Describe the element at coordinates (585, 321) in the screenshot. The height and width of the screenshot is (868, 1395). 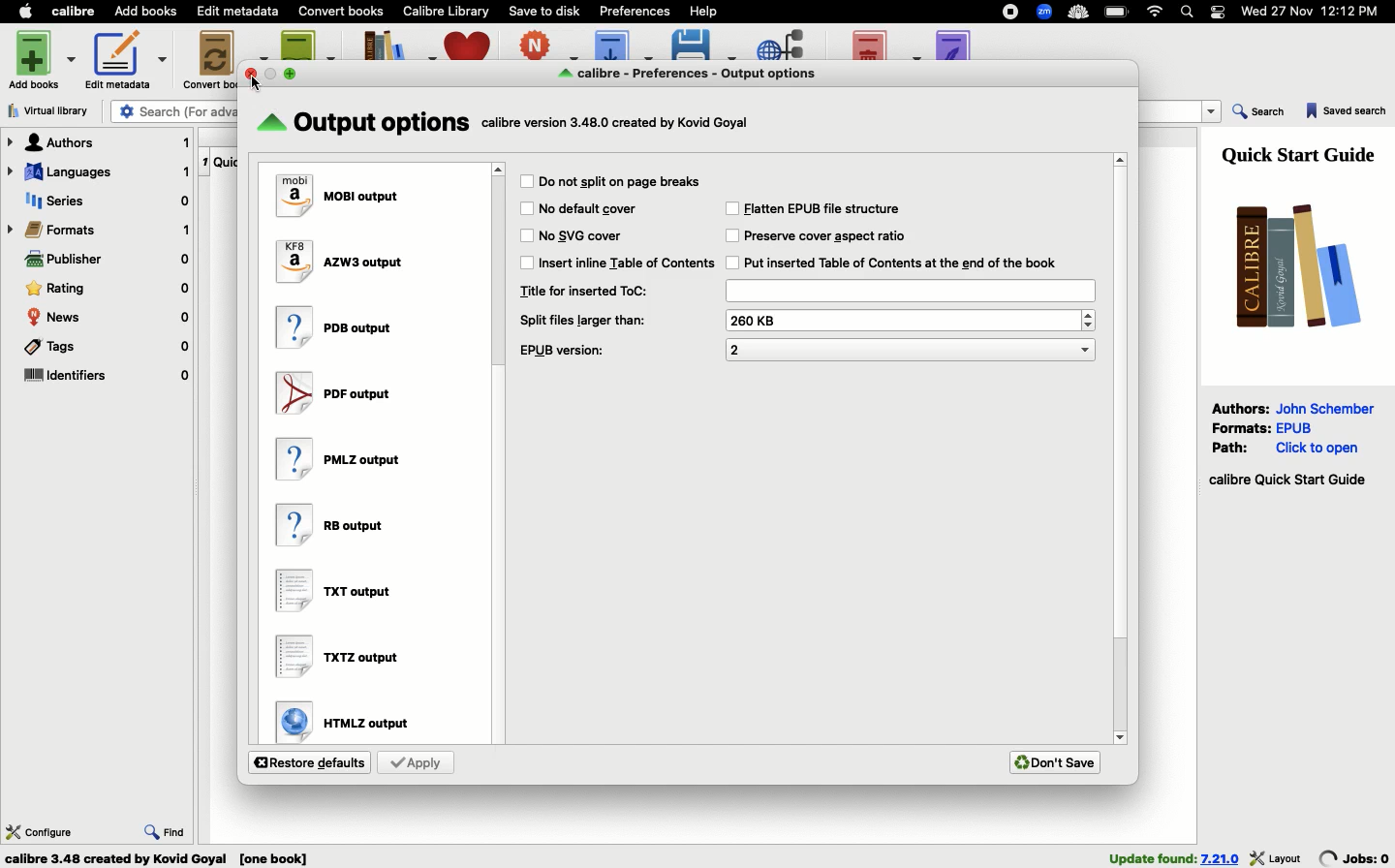
I see `Split files` at that location.